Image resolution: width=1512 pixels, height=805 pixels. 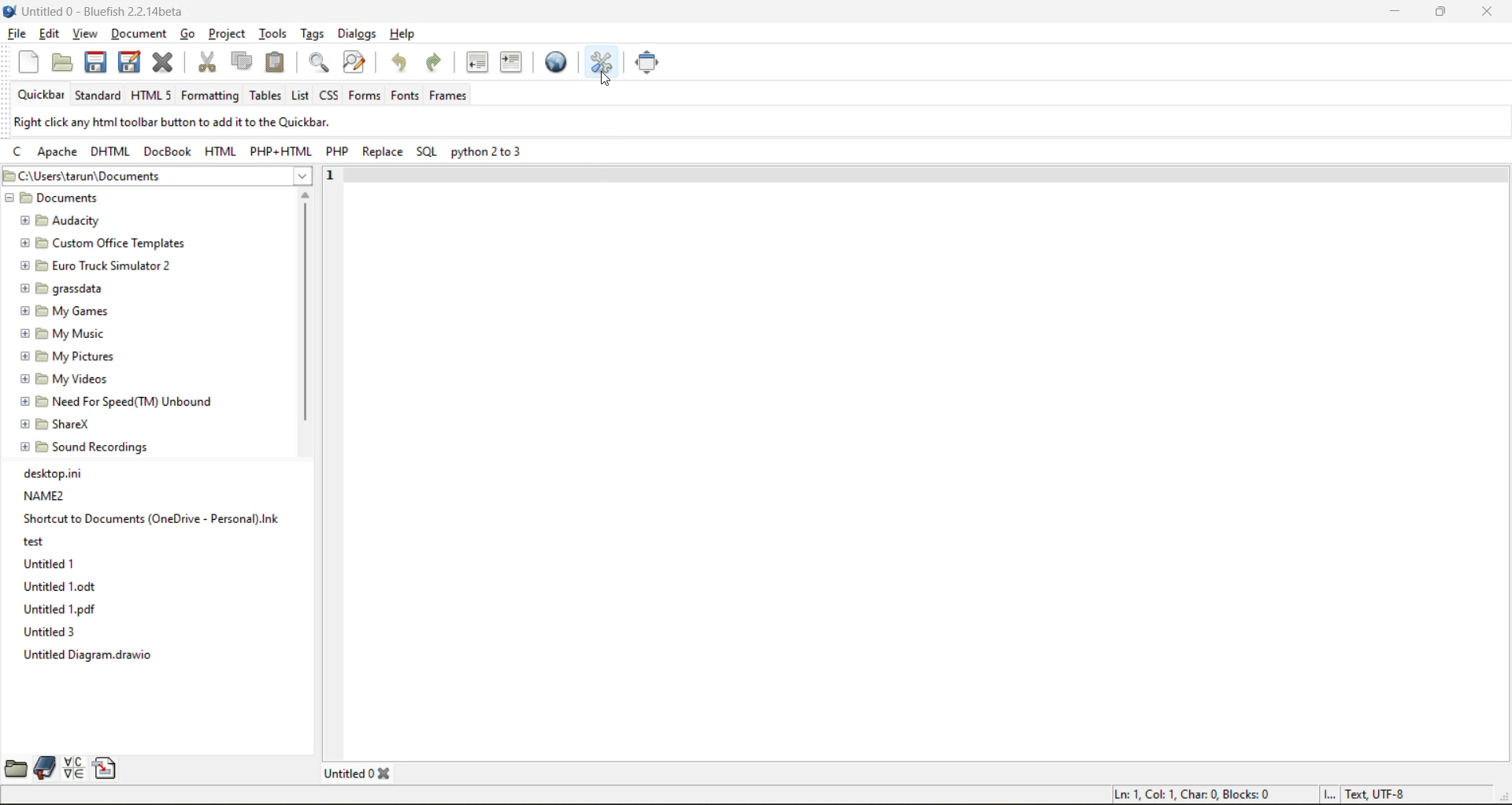 I want to click on new, so click(x=29, y=63).